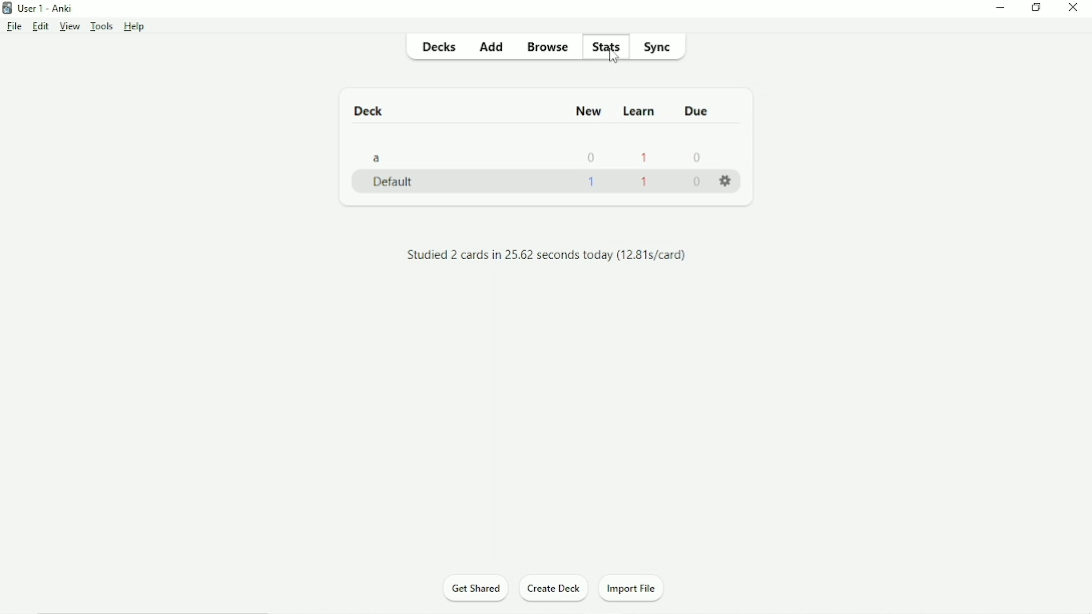  I want to click on Tools, so click(98, 27).